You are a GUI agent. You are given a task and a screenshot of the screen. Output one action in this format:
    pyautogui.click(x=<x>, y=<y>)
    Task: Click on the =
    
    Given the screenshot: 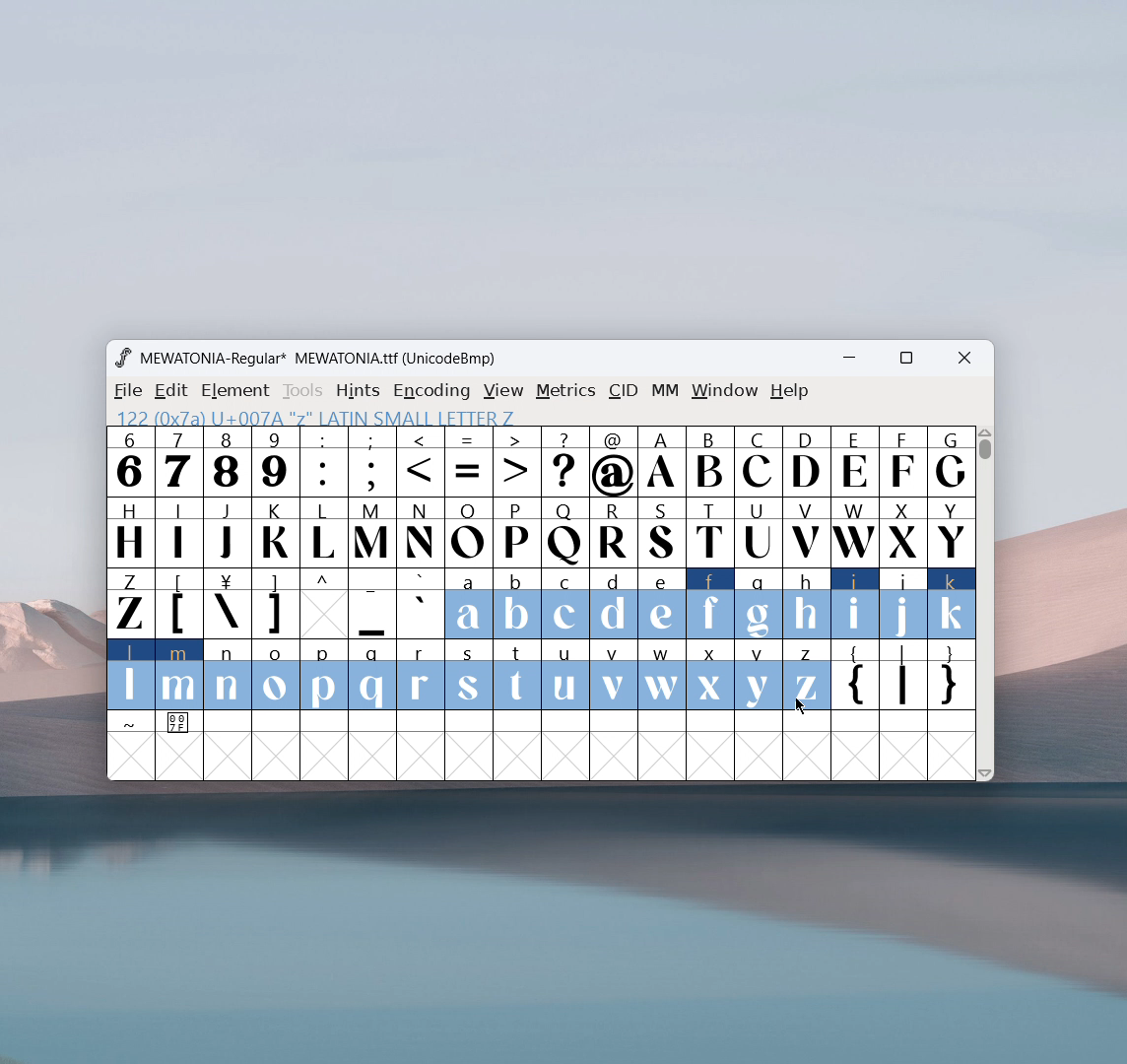 What is the action you would take?
    pyautogui.click(x=469, y=462)
    